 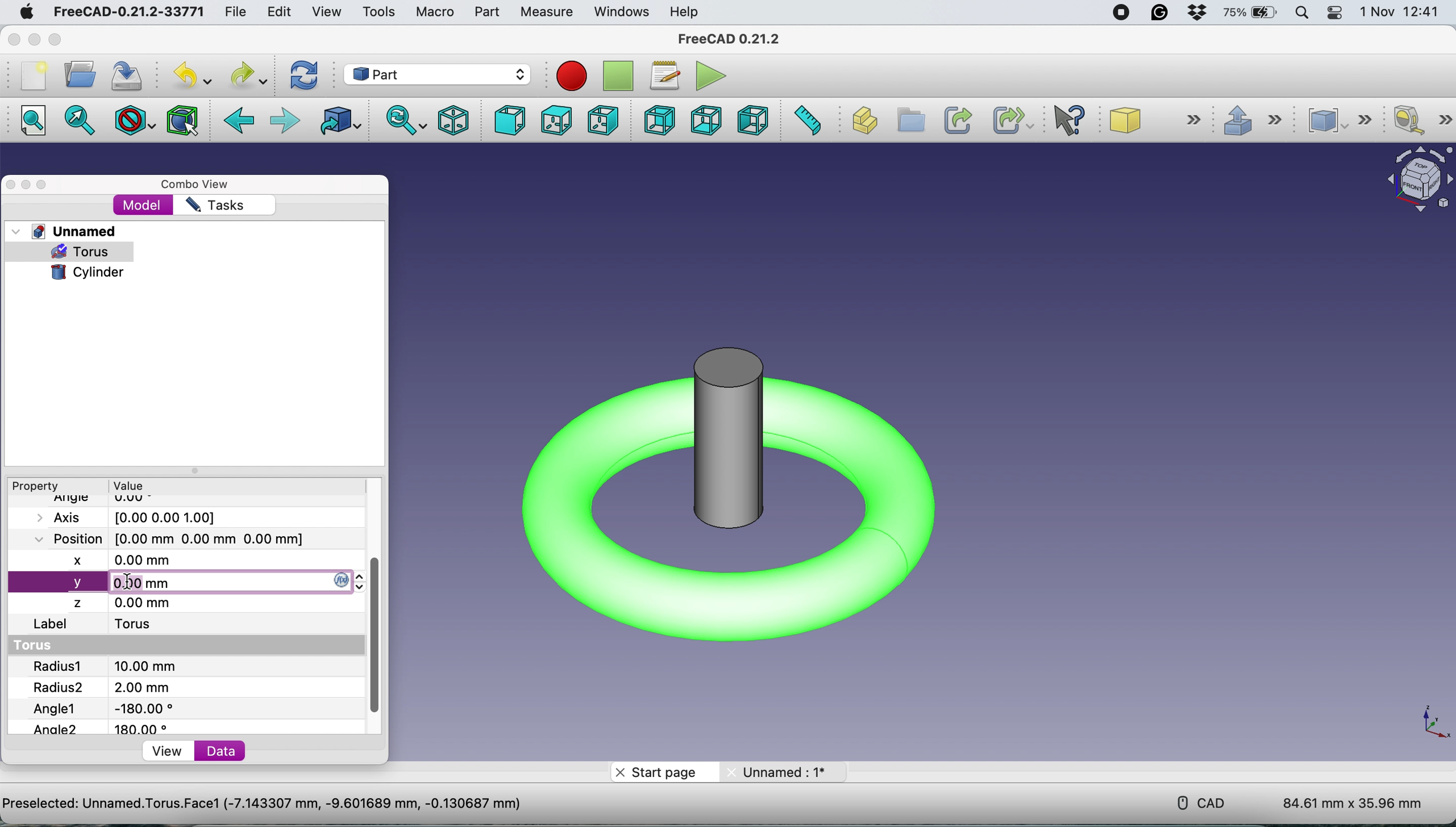 What do you see at coordinates (184, 120) in the screenshot?
I see `bounding box` at bounding box center [184, 120].